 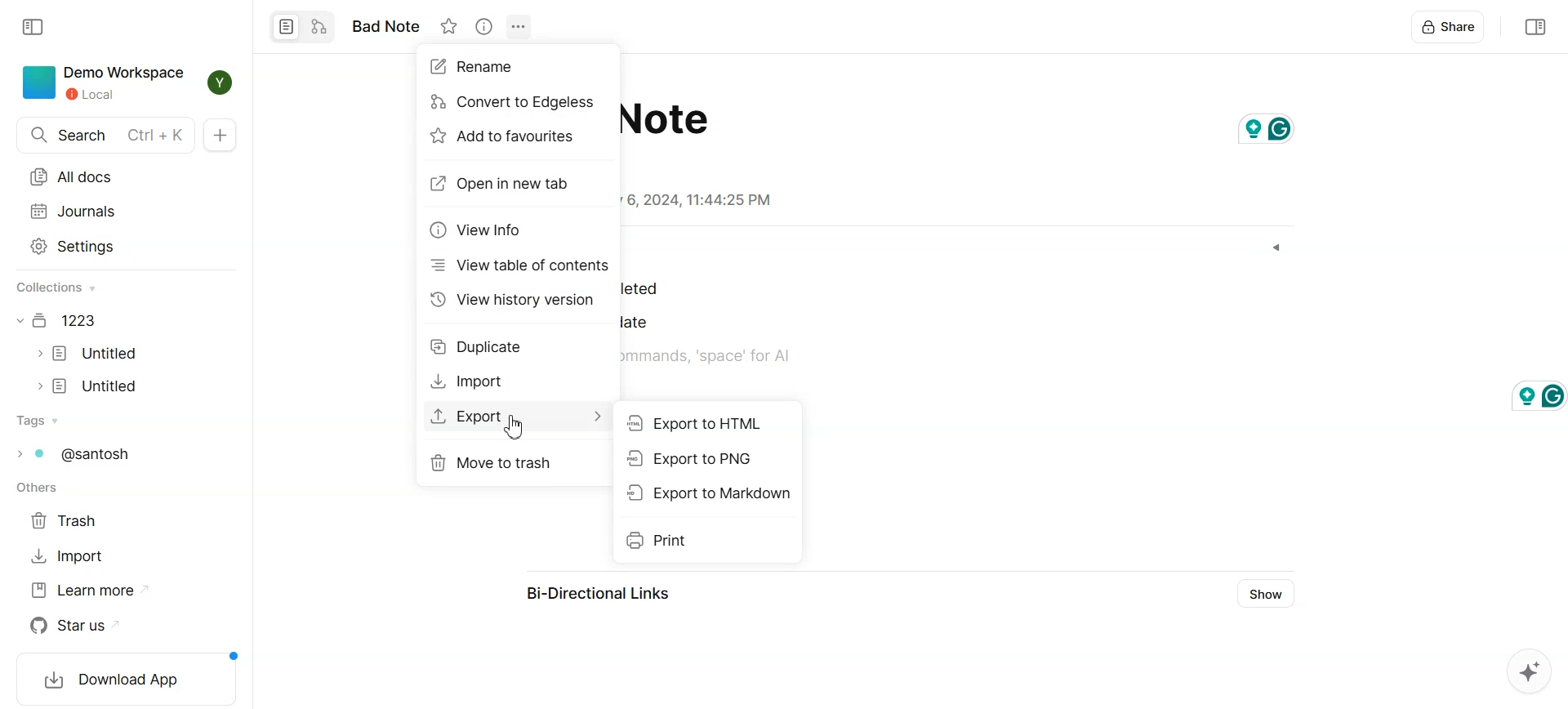 What do you see at coordinates (512, 136) in the screenshot?
I see `Add to favorites` at bounding box center [512, 136].